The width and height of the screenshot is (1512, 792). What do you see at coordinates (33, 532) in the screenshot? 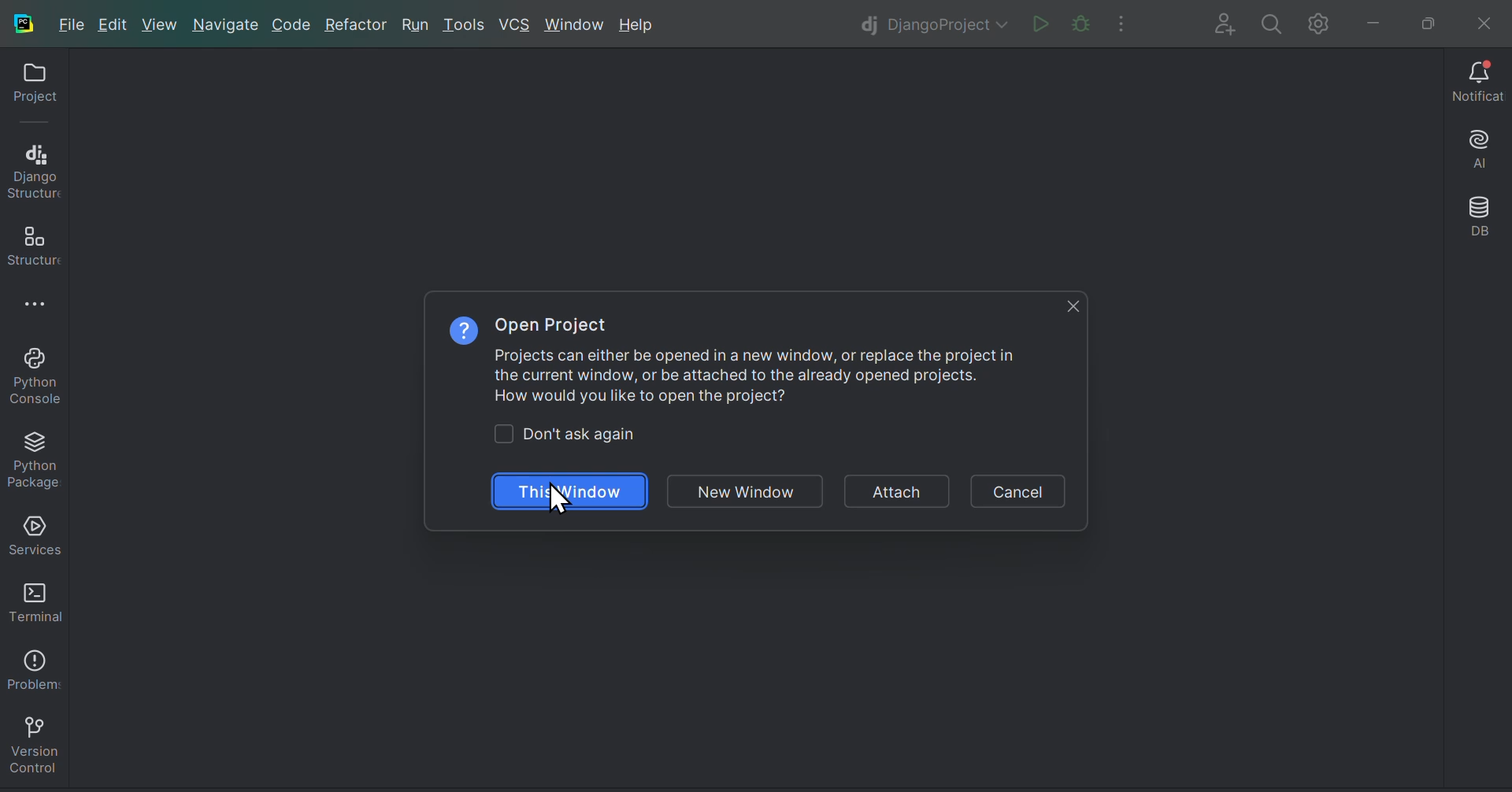
I see `Services` at bounding box center [33, 532].